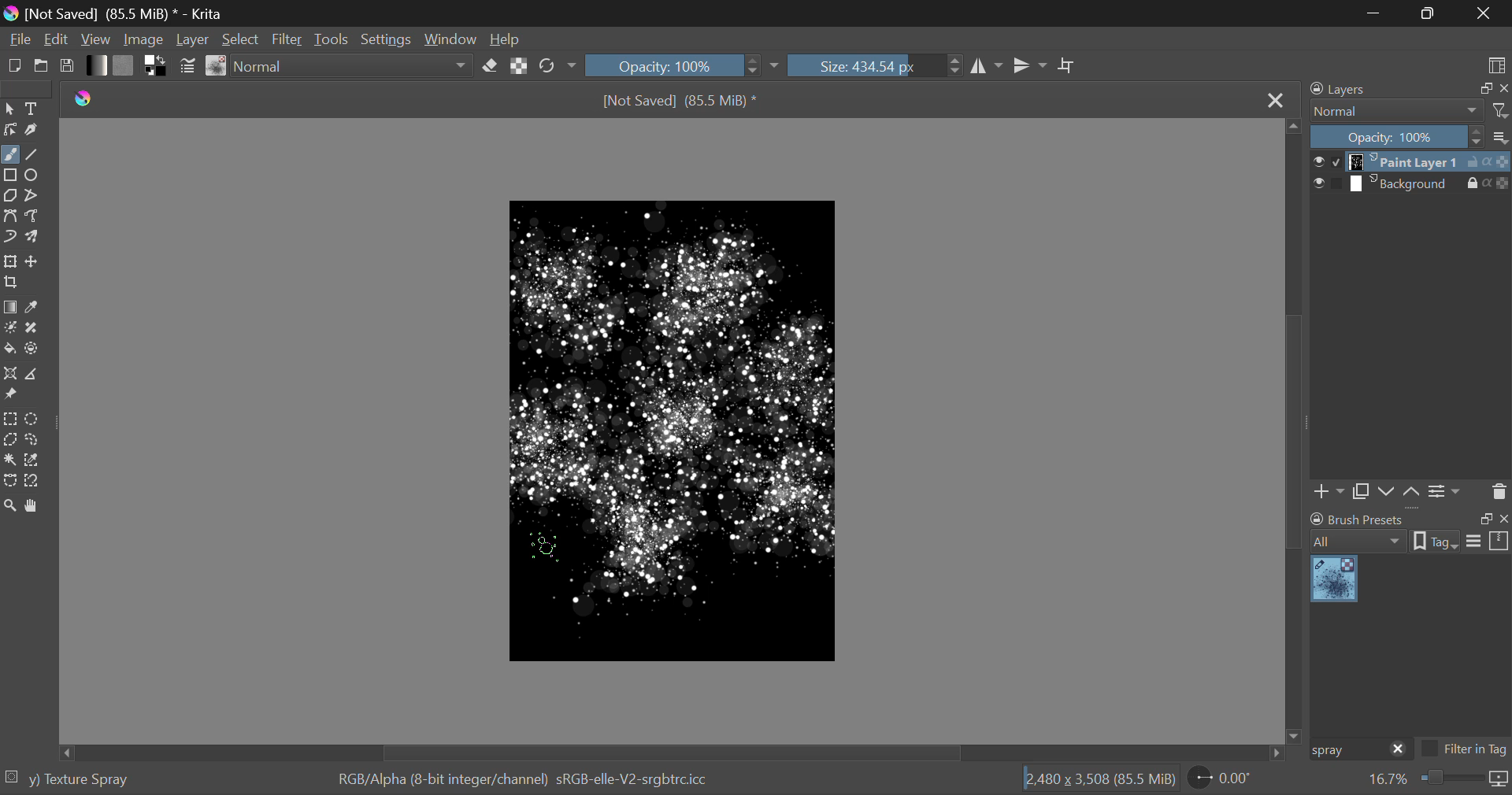 This screenshot has height=795, width=1512. What do you see at coordinates (9, 235) in the screenshot?
I see `Dynamic Brush` at bounding box center [9, 235].